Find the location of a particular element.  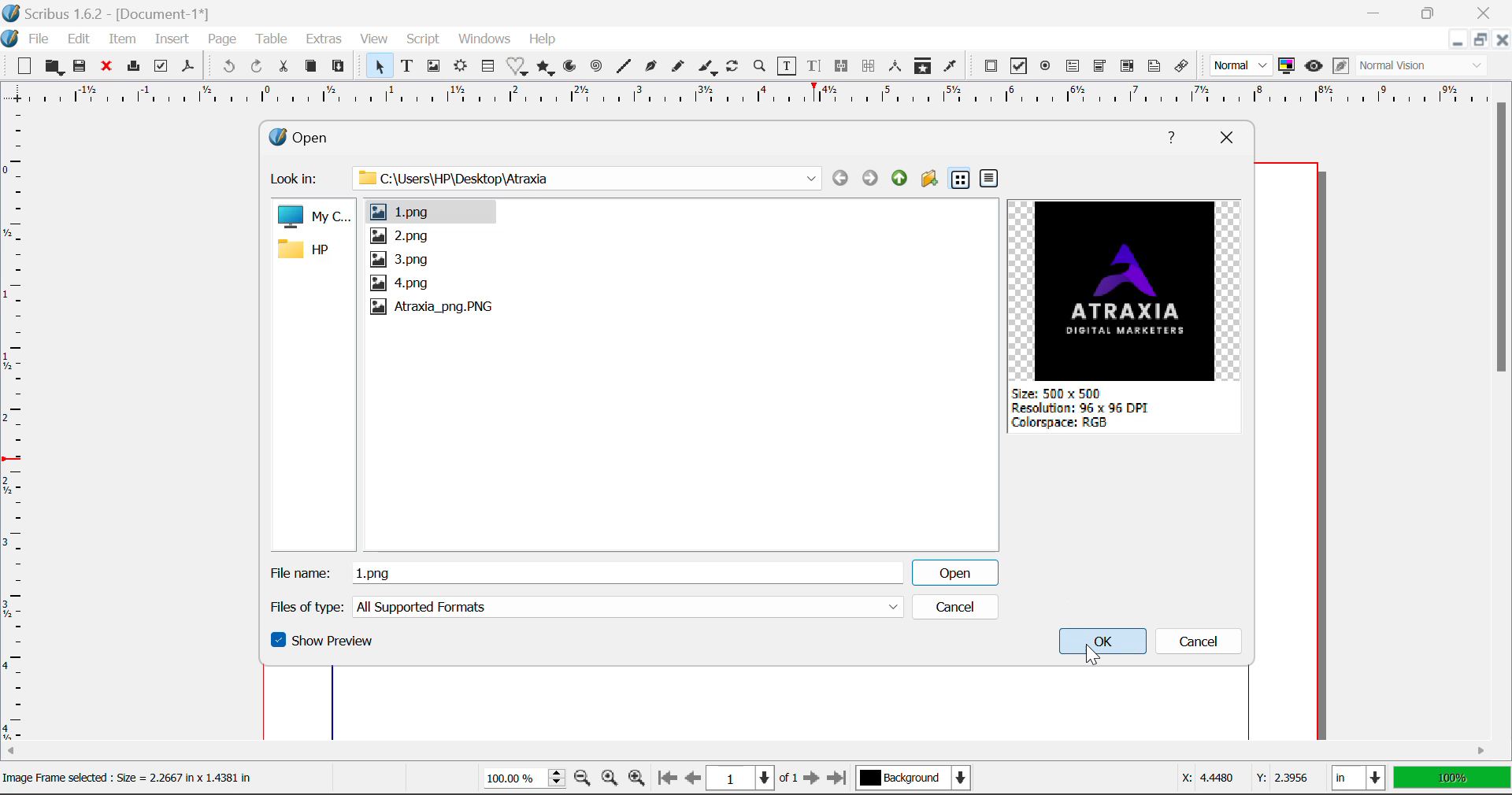

Polygons is located at coordinates (547, 68).